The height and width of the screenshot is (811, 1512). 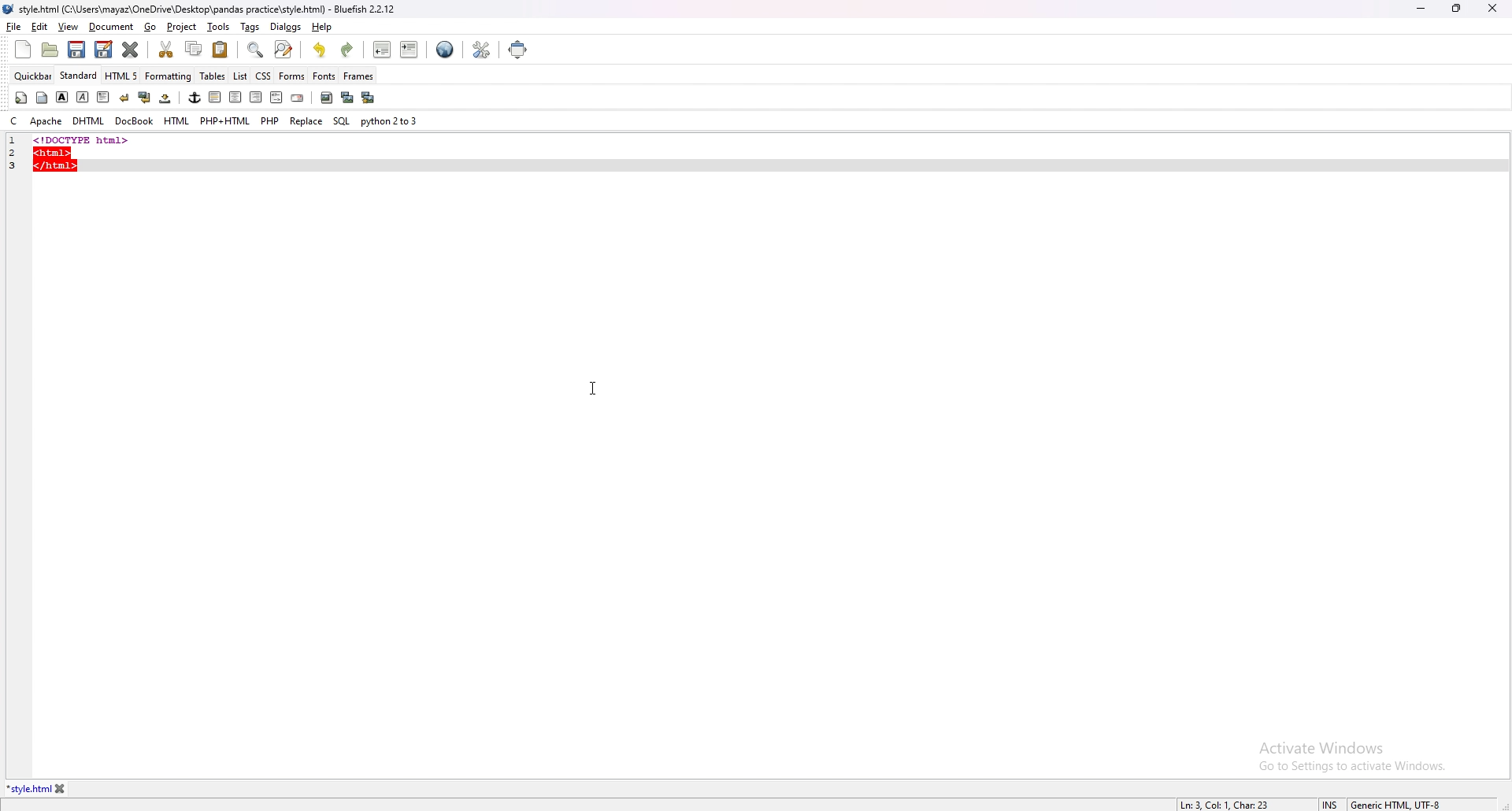 I want to click on break, so click(x=124, y=97).